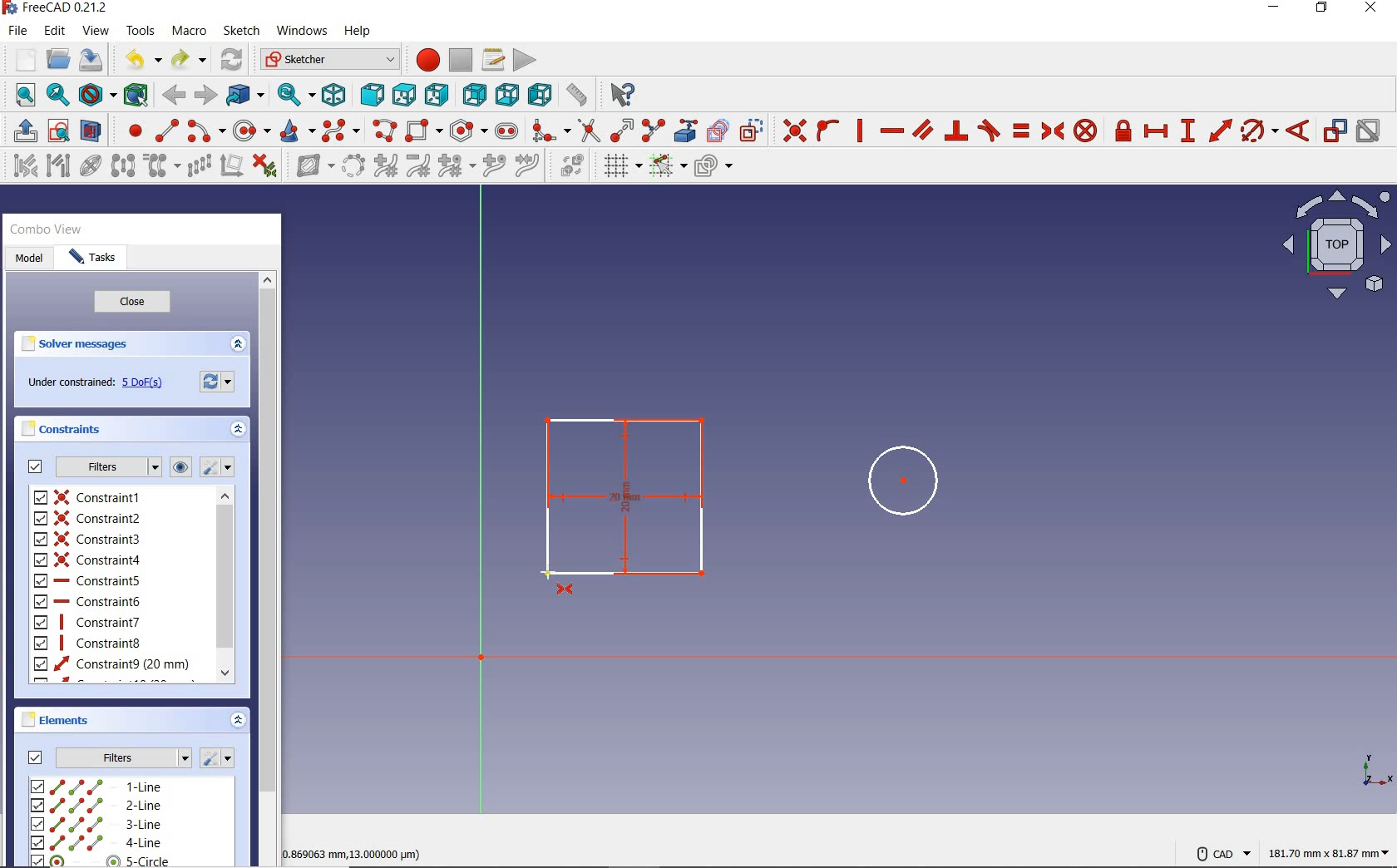 This screenshot has height=868, width=1397. What do you see at coordinates (205, 131) in the screenshot?
I see `create arc` at bounding box center [205, 131].